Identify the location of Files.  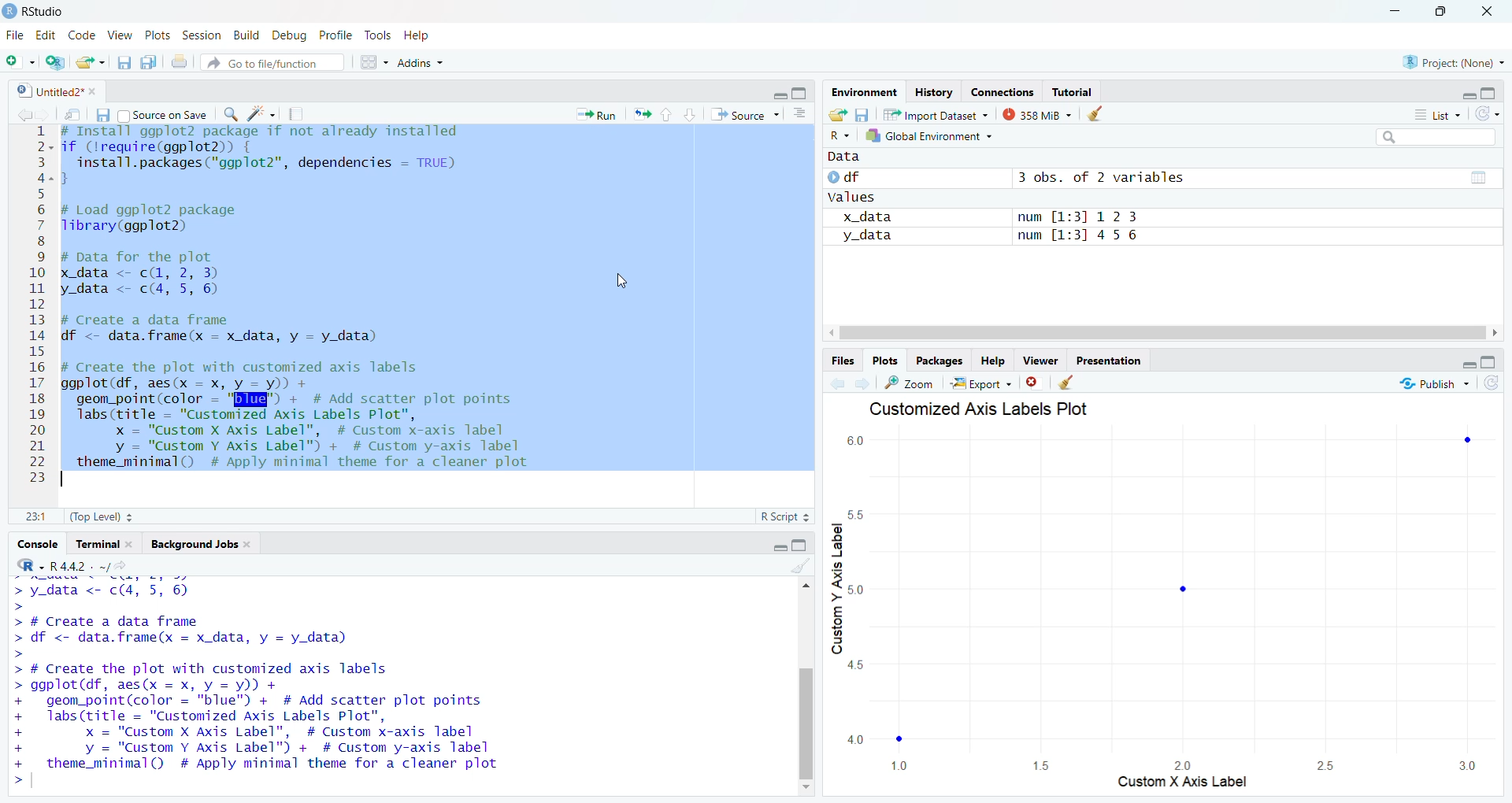
(834, 361).